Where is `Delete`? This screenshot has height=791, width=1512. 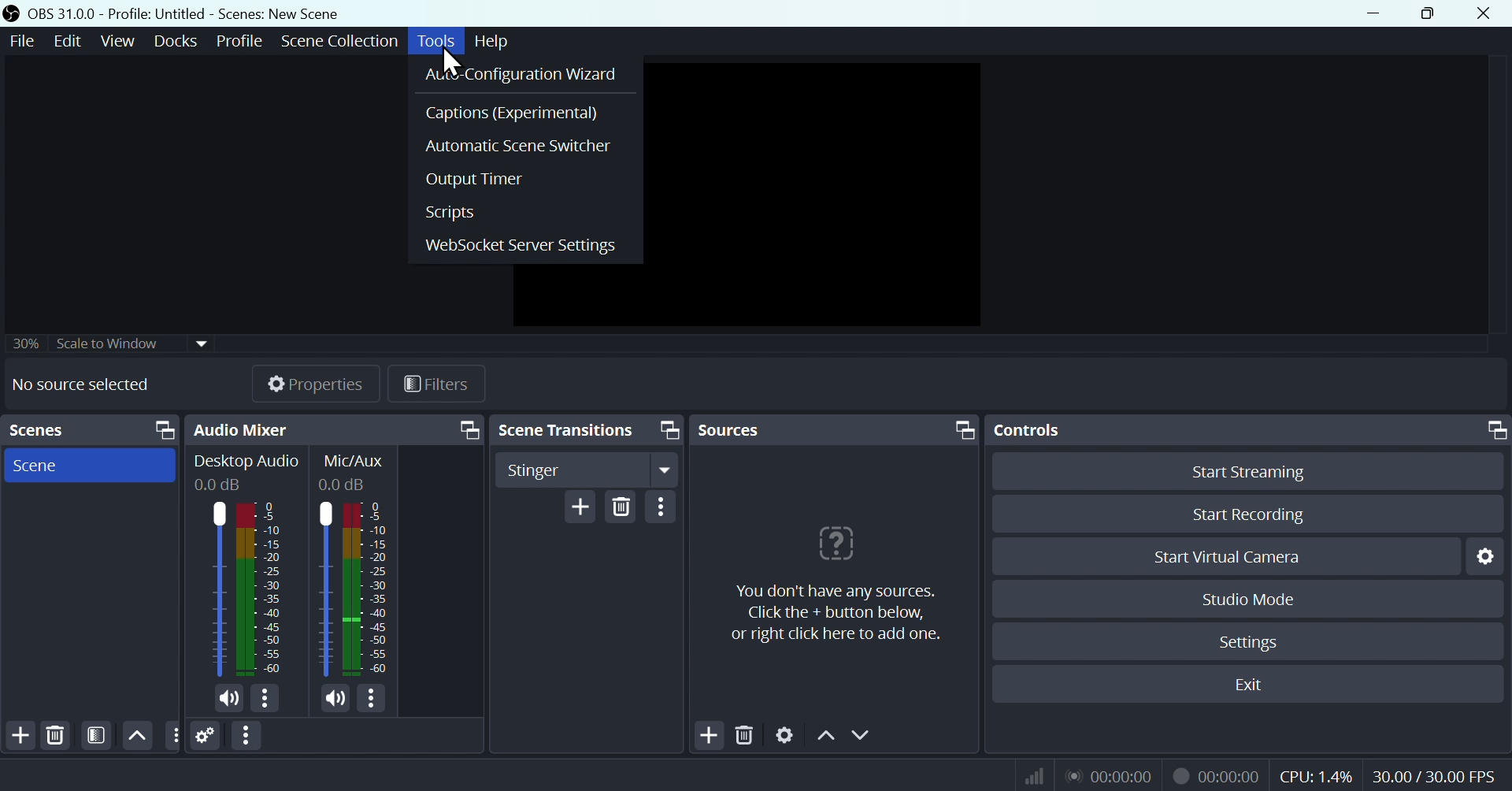 Delete is located at coordinates (57, 735).